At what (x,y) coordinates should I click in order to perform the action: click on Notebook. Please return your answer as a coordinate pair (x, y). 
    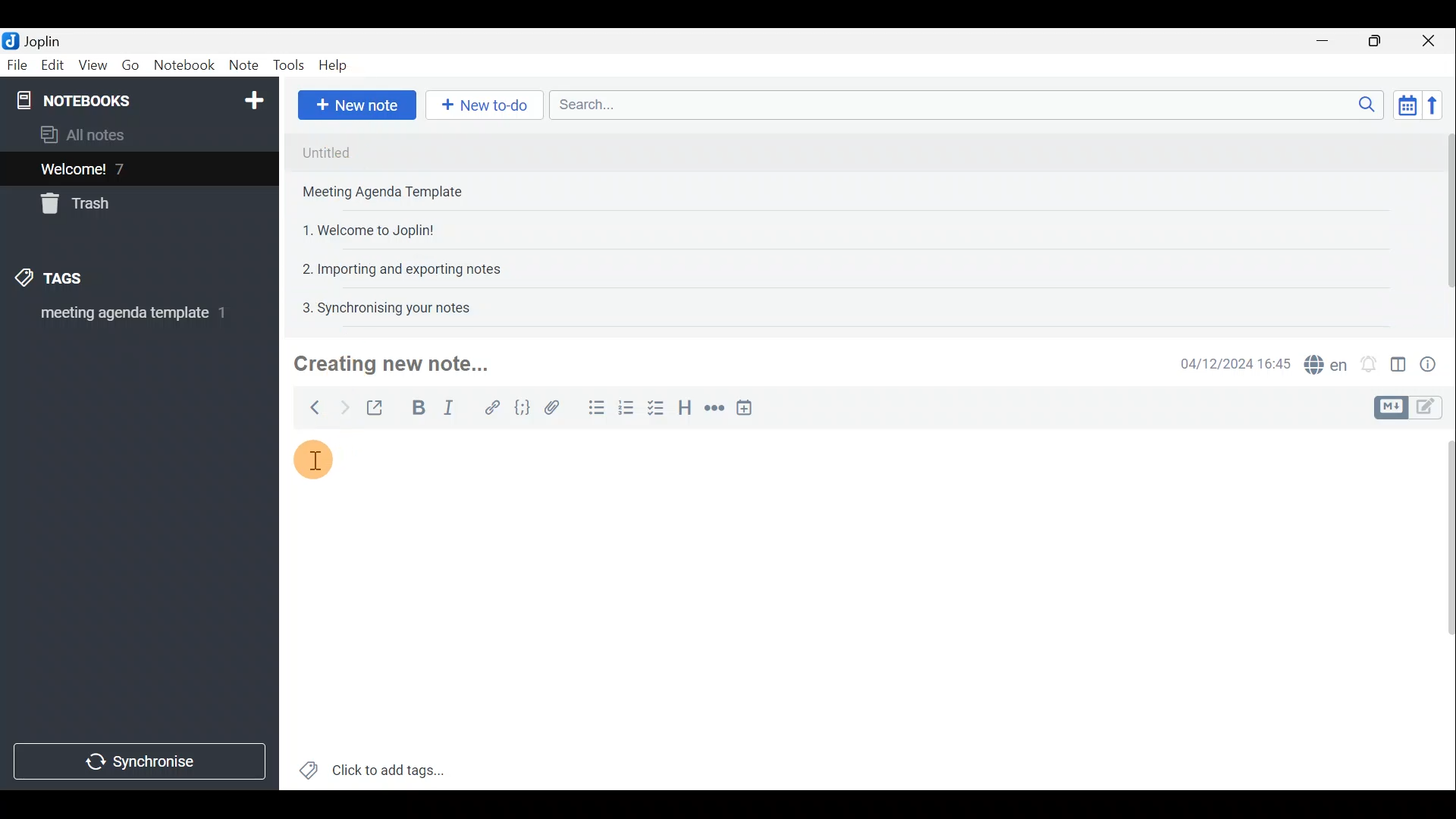
    Looking at the image, I should click on (184, 67).